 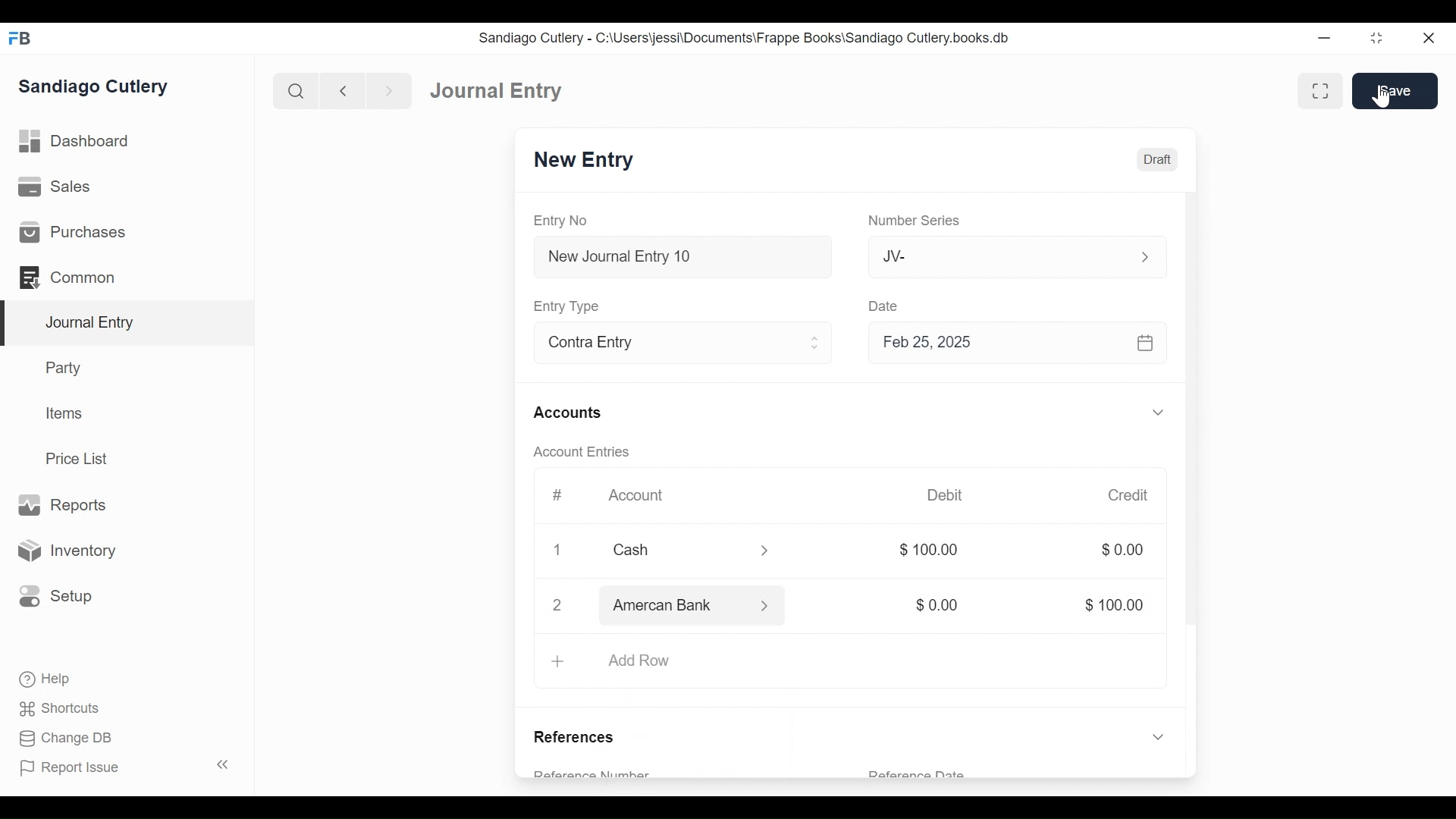 I want to click on Shortcuts, so click(x=55, y=708).